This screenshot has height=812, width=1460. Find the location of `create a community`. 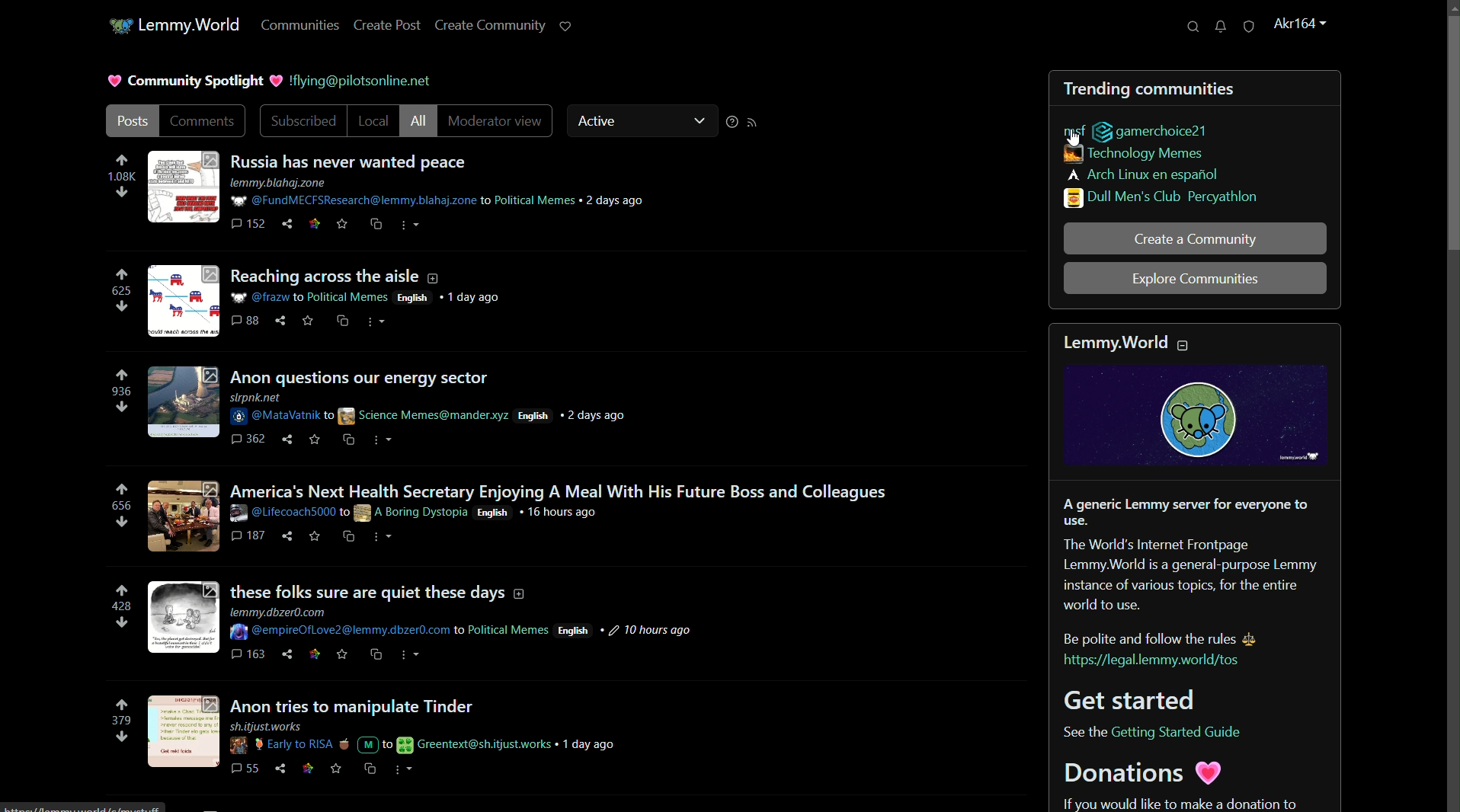

create a community is located at coordinates (1195, 239).